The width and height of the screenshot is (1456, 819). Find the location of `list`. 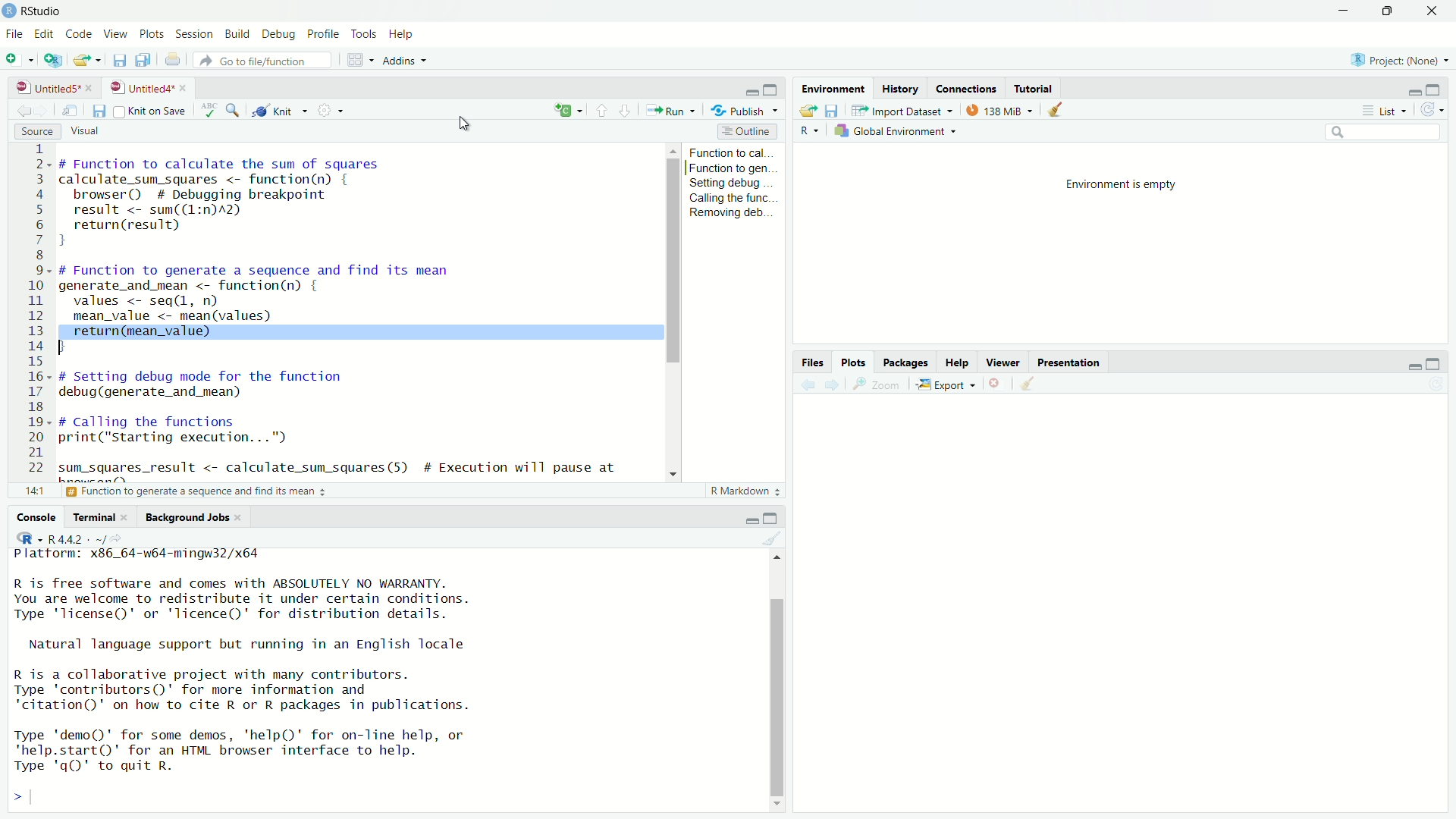

list is located at coordinates (1382, 111).